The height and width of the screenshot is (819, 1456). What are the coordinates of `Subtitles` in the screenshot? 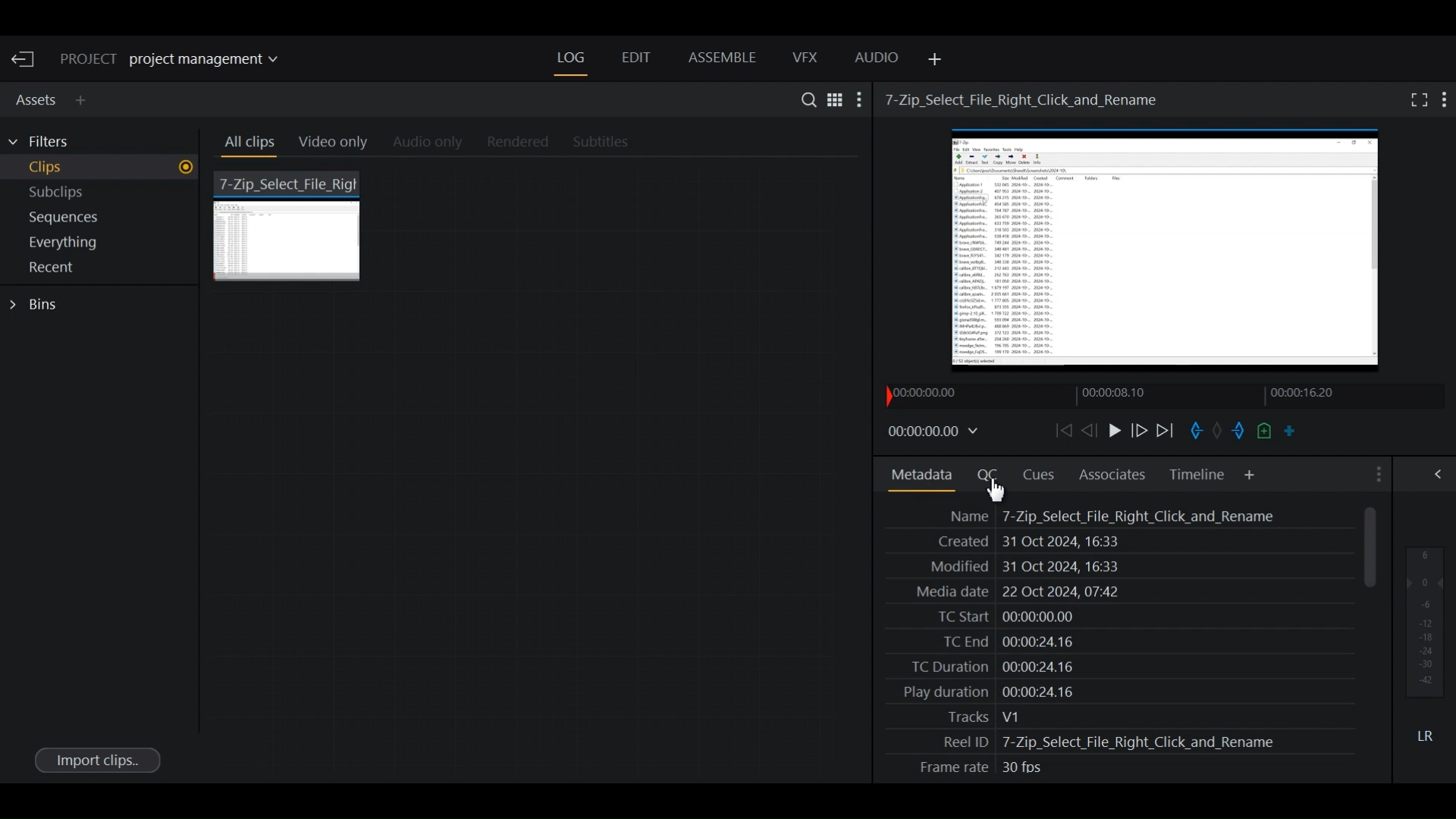 It's located at (610, 143).